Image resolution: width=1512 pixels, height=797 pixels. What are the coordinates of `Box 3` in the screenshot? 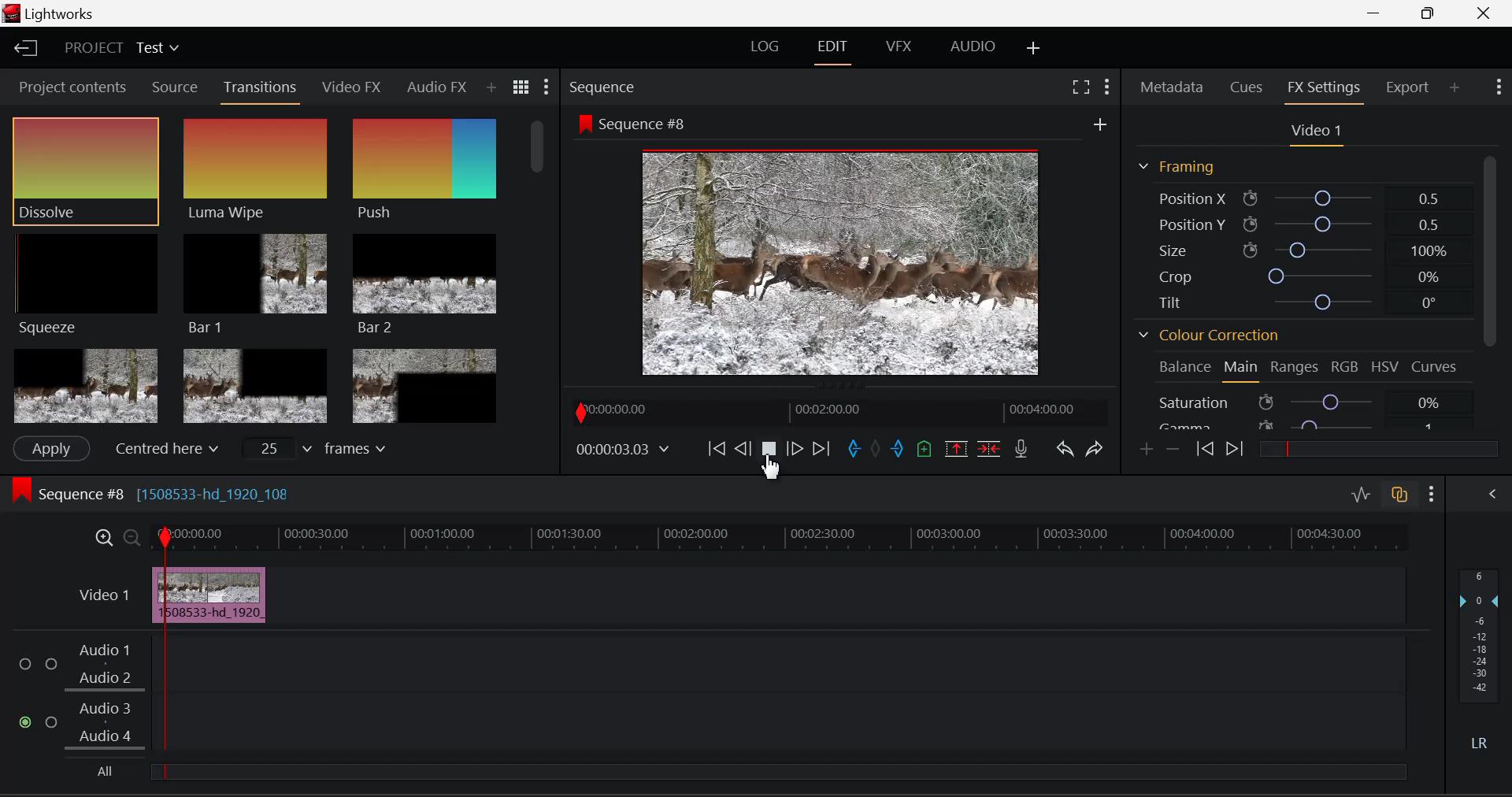 It's located at (426, 383).